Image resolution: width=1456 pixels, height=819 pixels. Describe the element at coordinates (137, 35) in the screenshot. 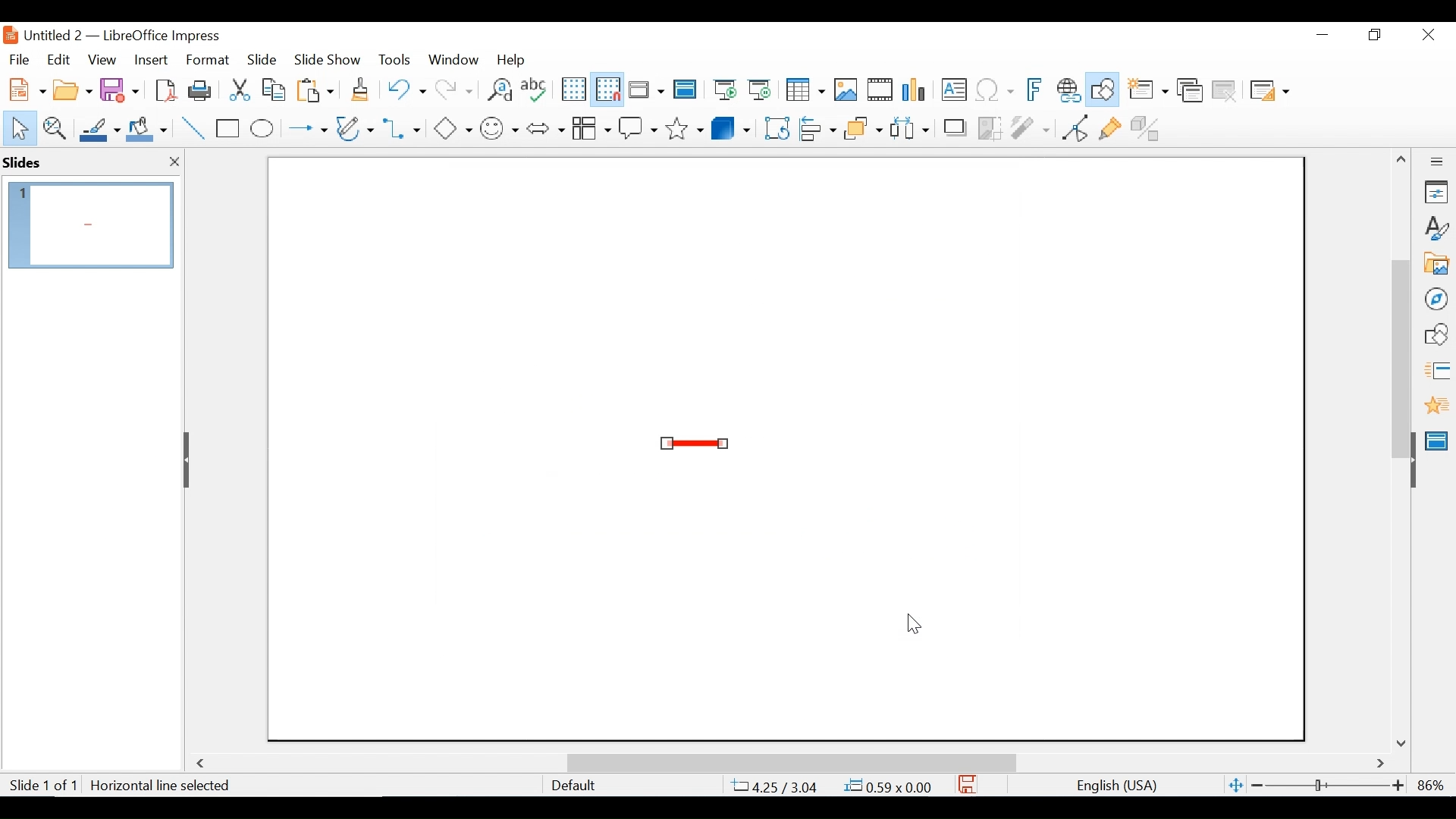

I see `Untitled 2 - LibreOffice Impress` at that location.